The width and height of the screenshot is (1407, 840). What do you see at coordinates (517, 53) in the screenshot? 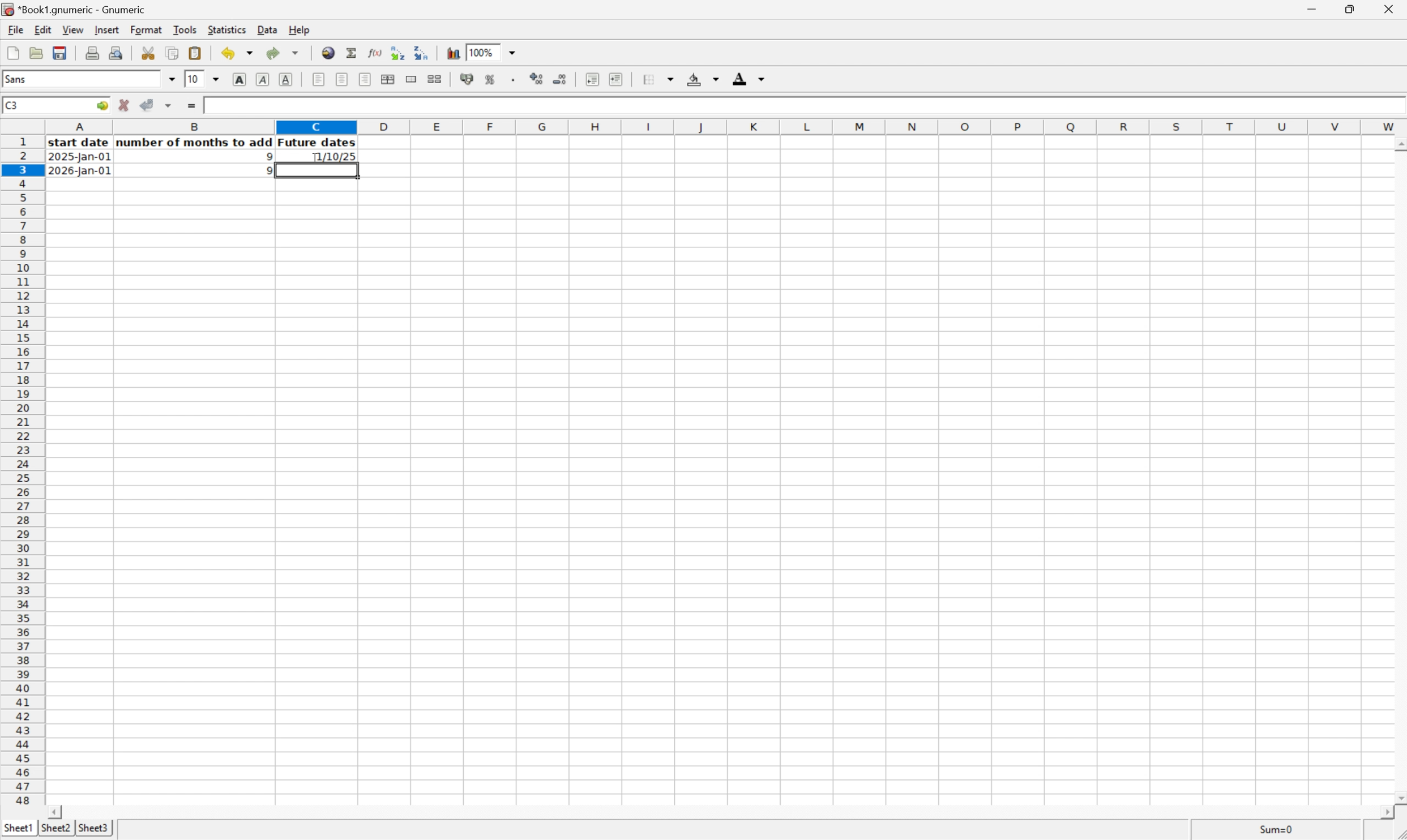
I see `Drop Down` at bounding box center [517, 53].